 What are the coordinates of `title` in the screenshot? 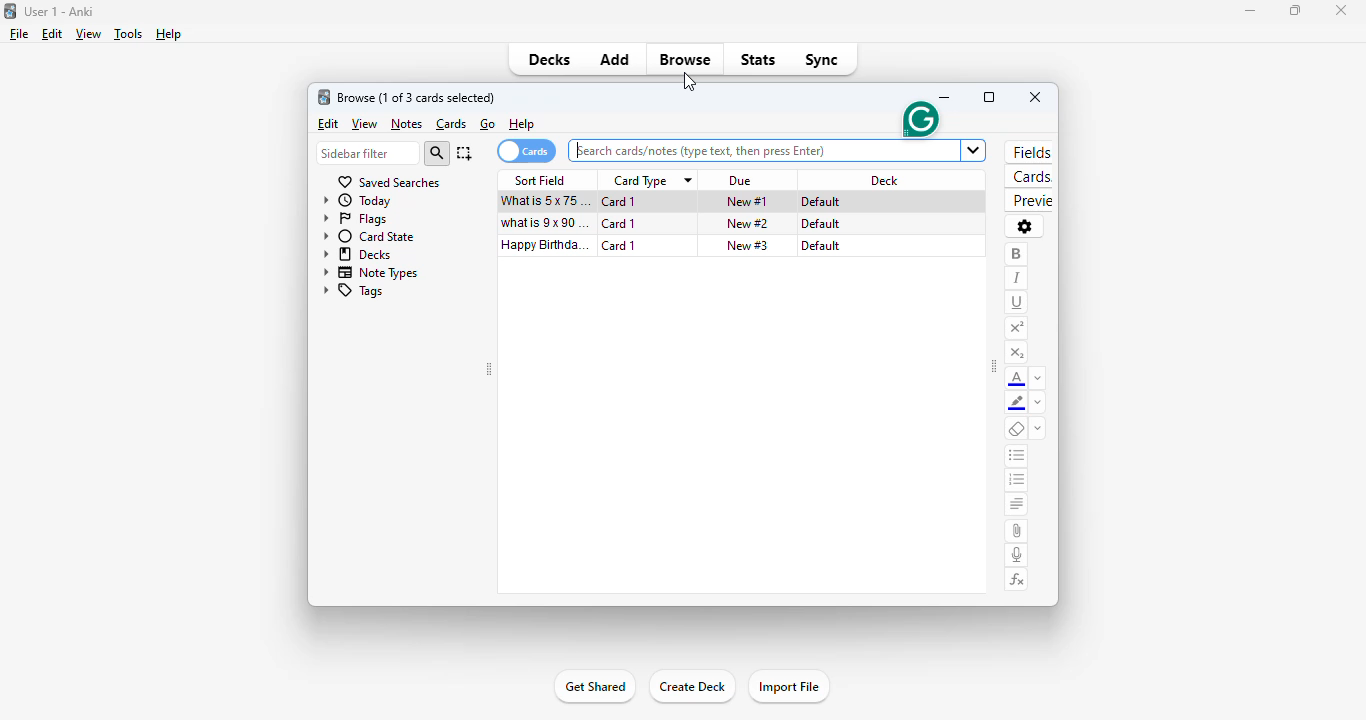 It's located at (61, 11).